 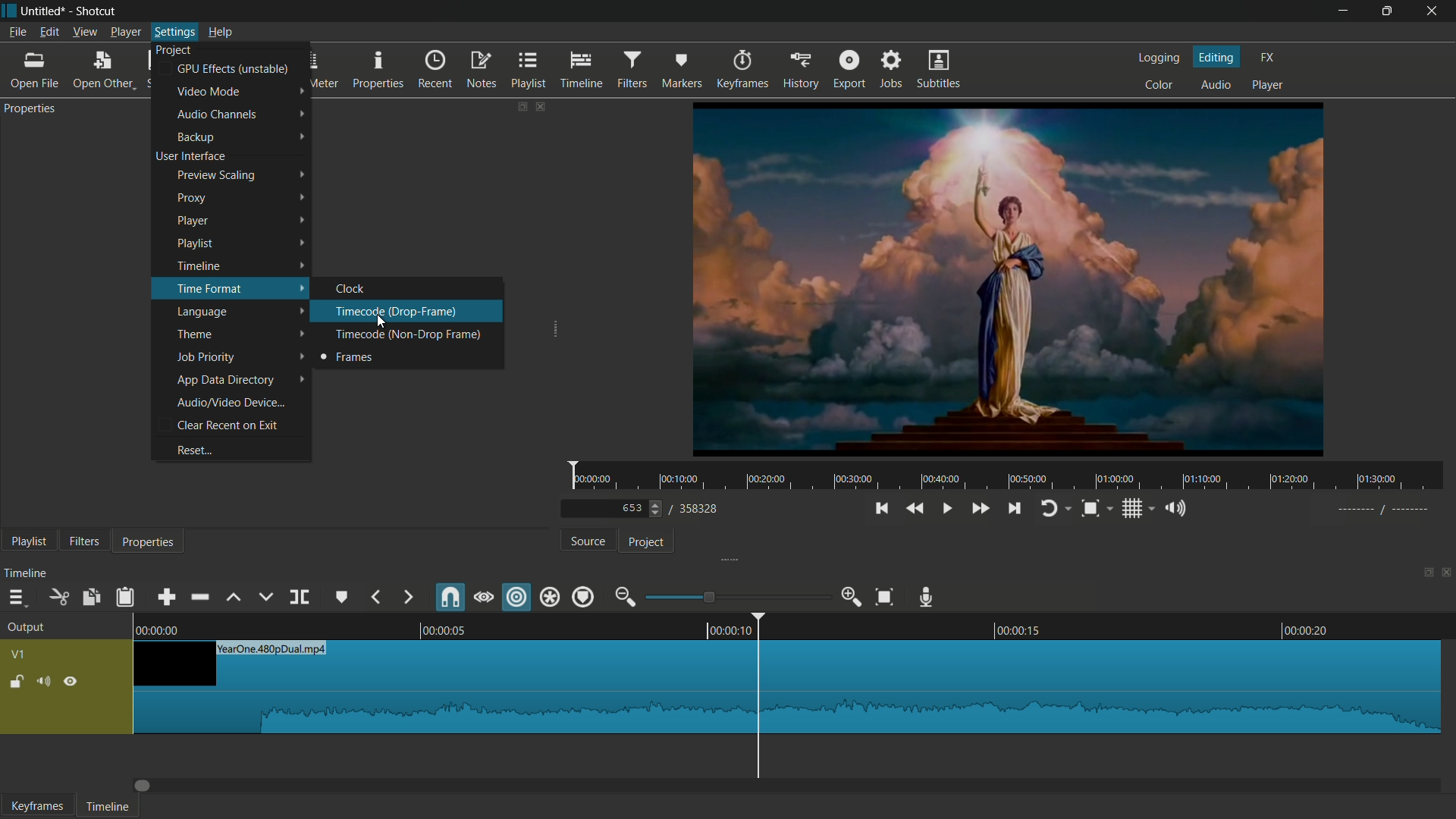 I want to click on playlist, so click(x=530, y=70).